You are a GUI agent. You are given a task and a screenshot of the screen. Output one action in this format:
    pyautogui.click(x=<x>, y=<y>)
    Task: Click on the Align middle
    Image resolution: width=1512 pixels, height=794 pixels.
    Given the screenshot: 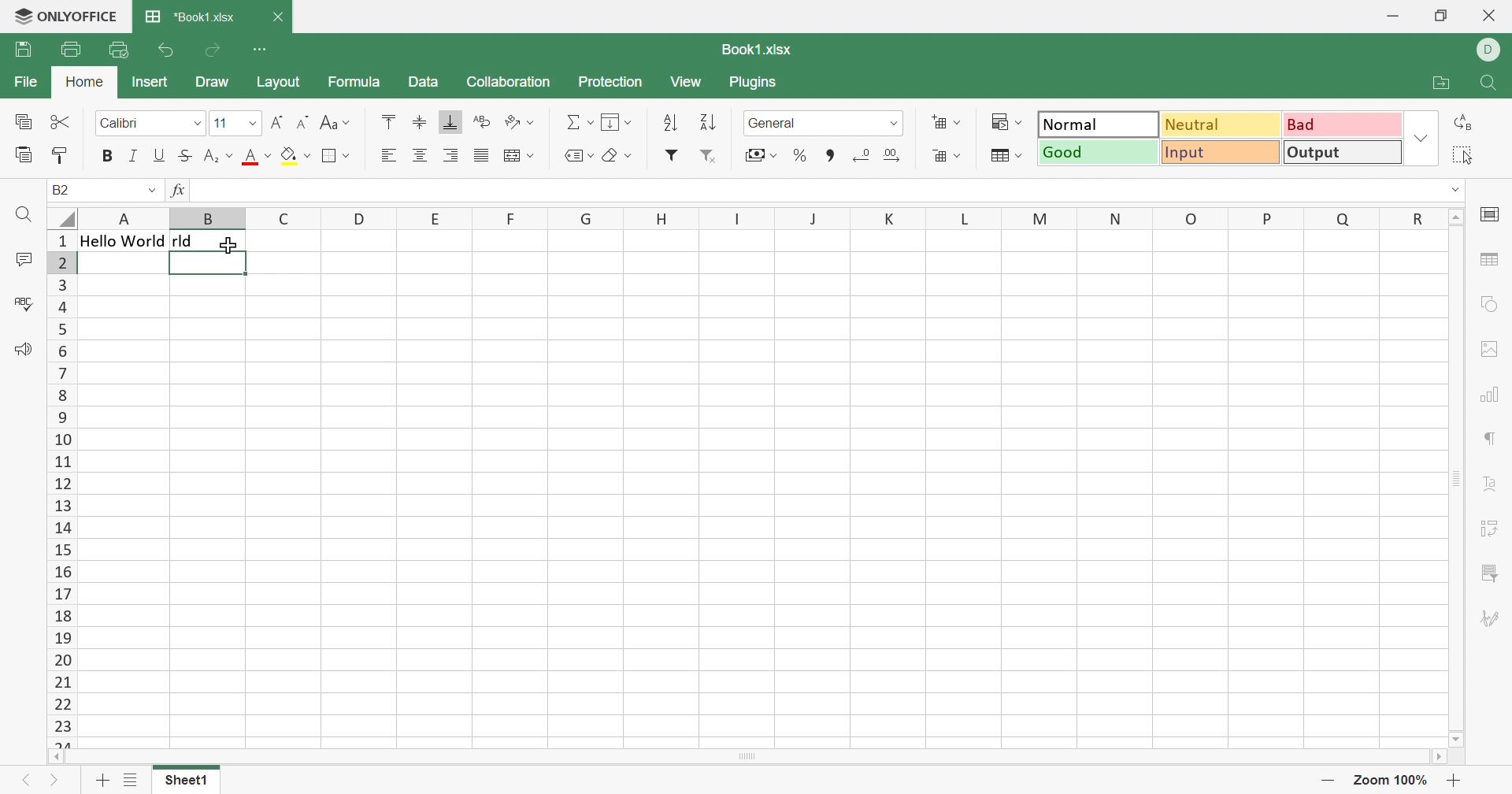 What is the action you would take?
    pyautogui.click(x=420, y=121)
    